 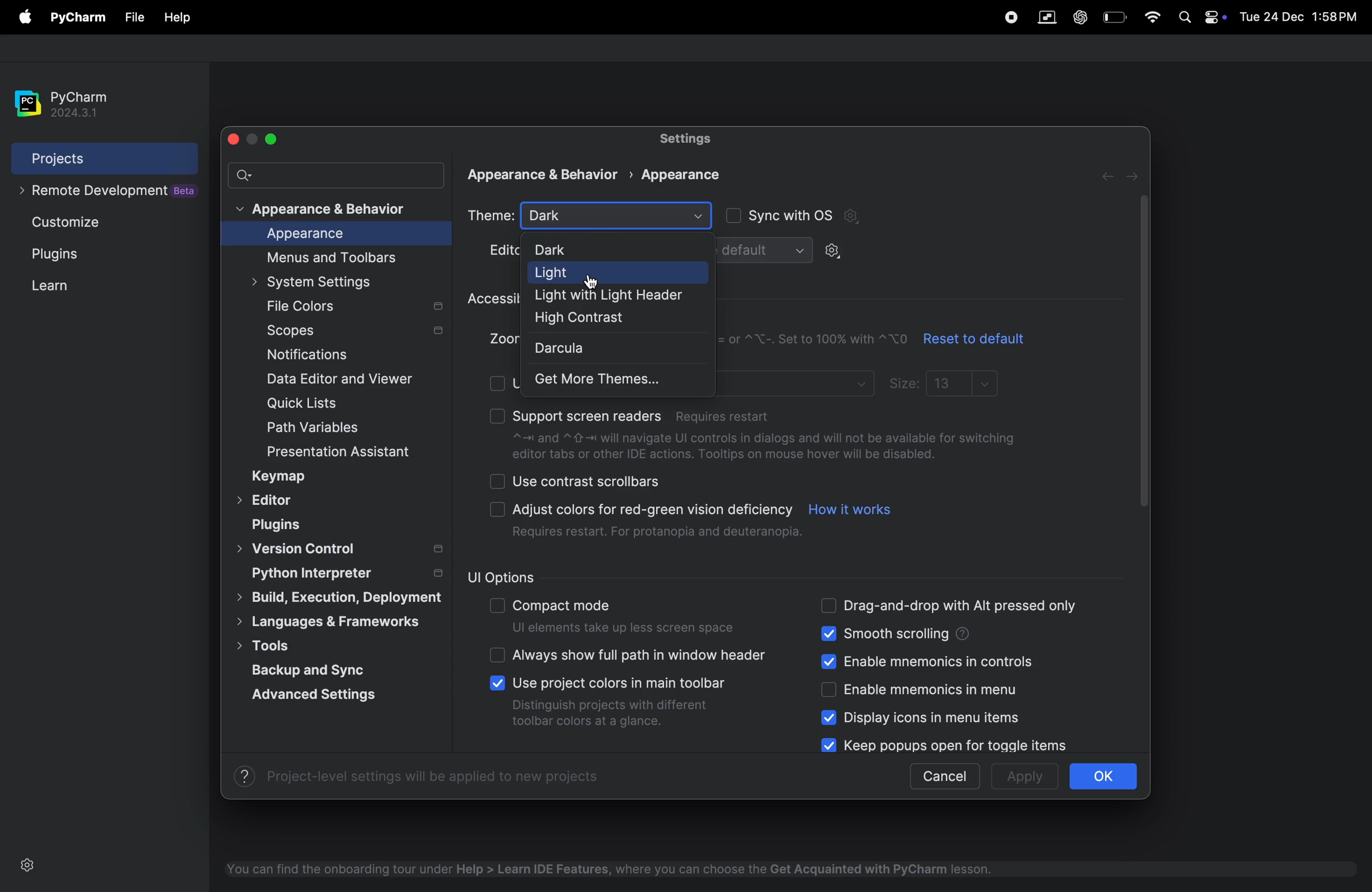 What do you see at coordinates (624, 214) in the screenshot?
I see `Dark` at bounding box center [624, 214].